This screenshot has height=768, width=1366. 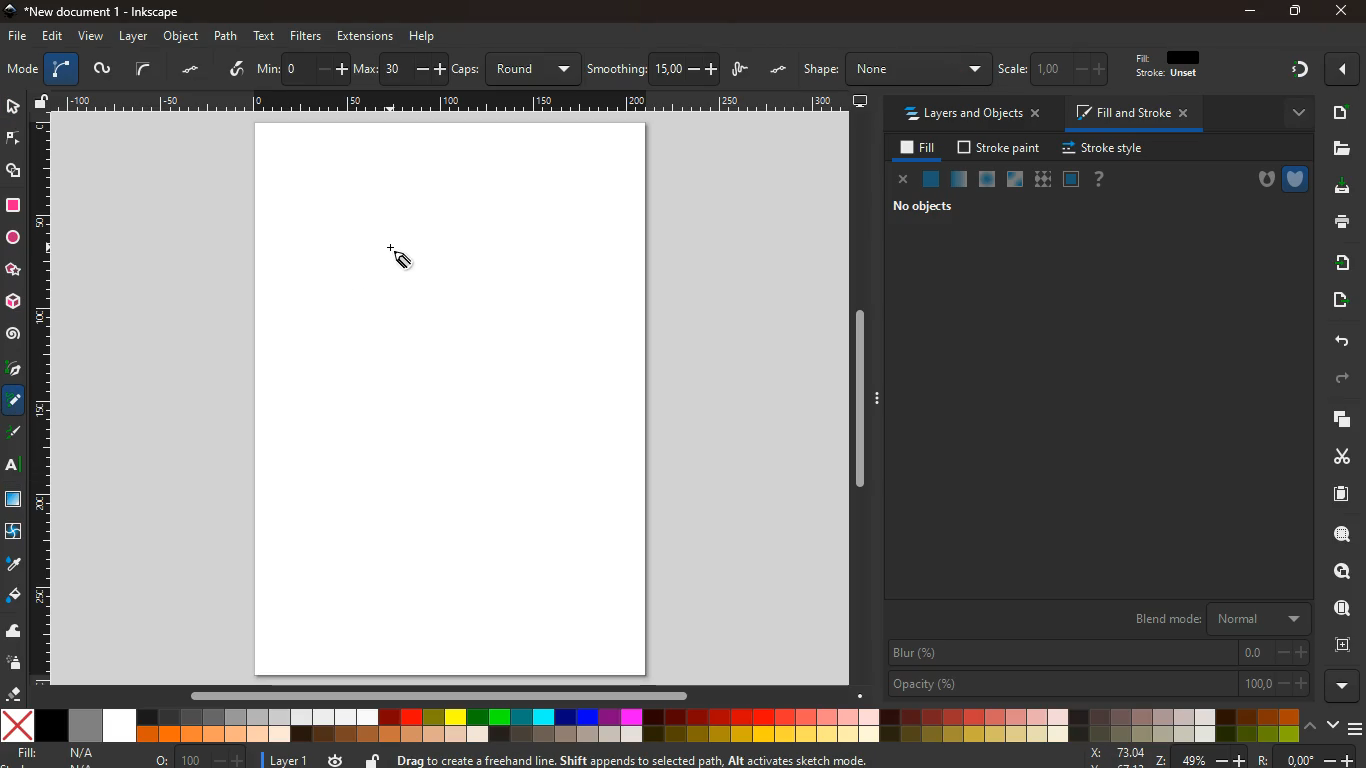 What do you see at coordinates (1100, 684) in the screenshot?
I see `opacity` at bounding box center [1100, 684].